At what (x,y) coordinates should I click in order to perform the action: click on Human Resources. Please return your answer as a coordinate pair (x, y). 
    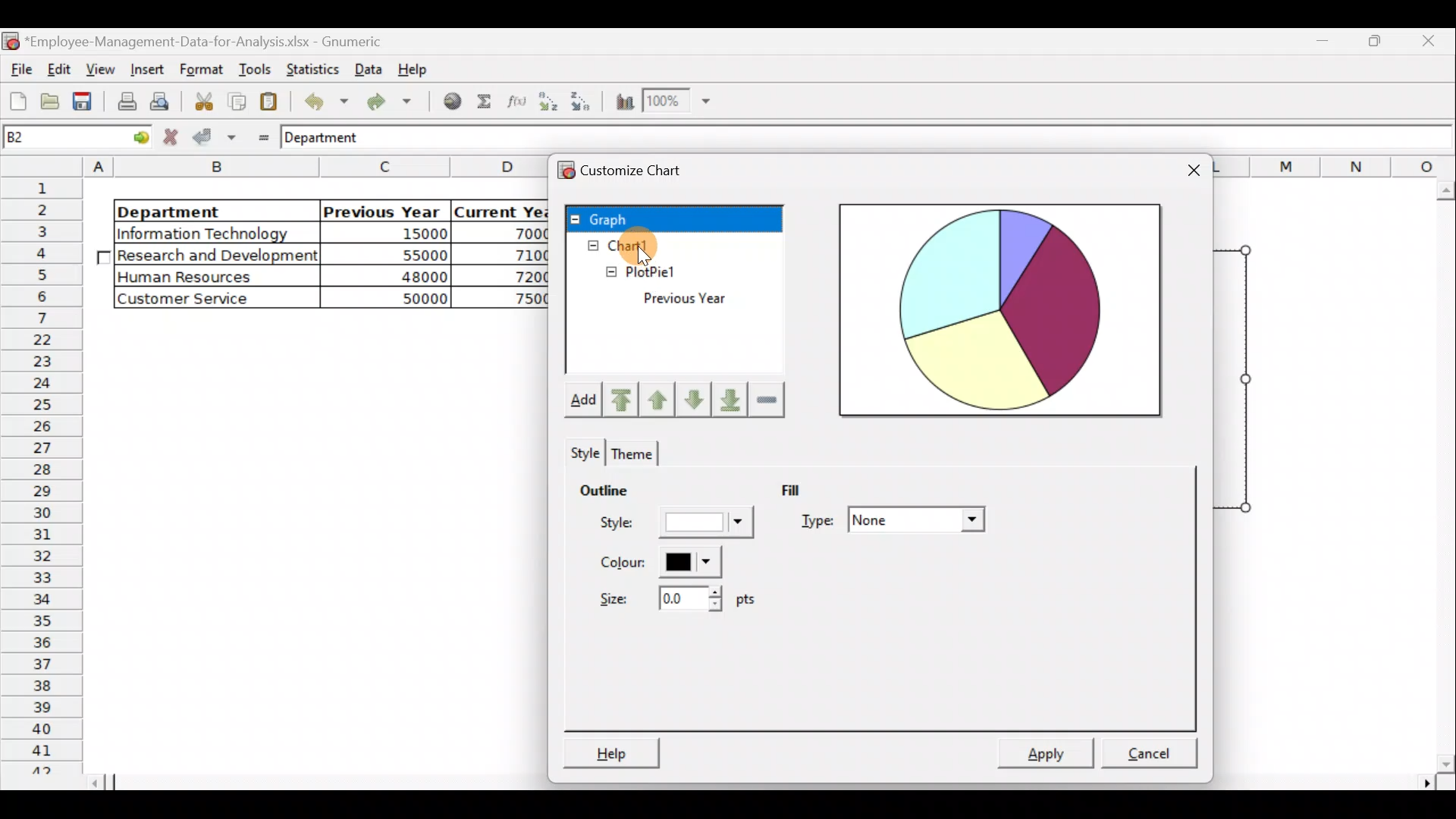
    Looking at the image, I should click on (196, 278).